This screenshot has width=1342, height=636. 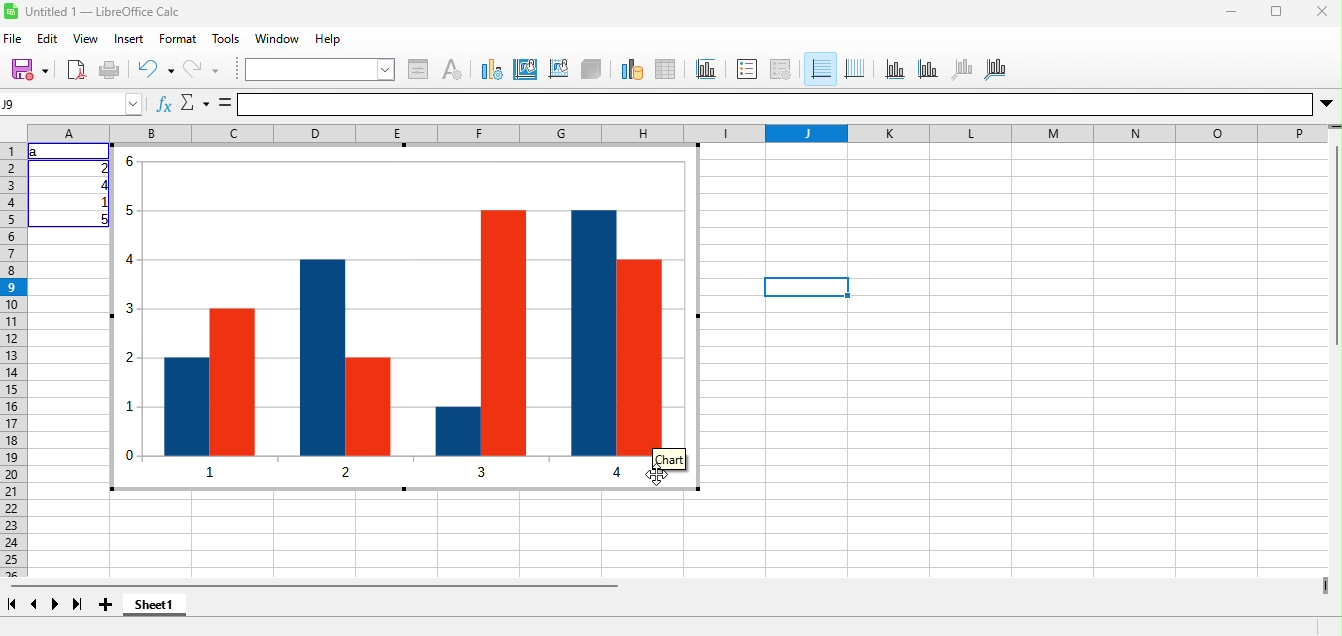 I want to click on edit, so click(x=47, y=40).